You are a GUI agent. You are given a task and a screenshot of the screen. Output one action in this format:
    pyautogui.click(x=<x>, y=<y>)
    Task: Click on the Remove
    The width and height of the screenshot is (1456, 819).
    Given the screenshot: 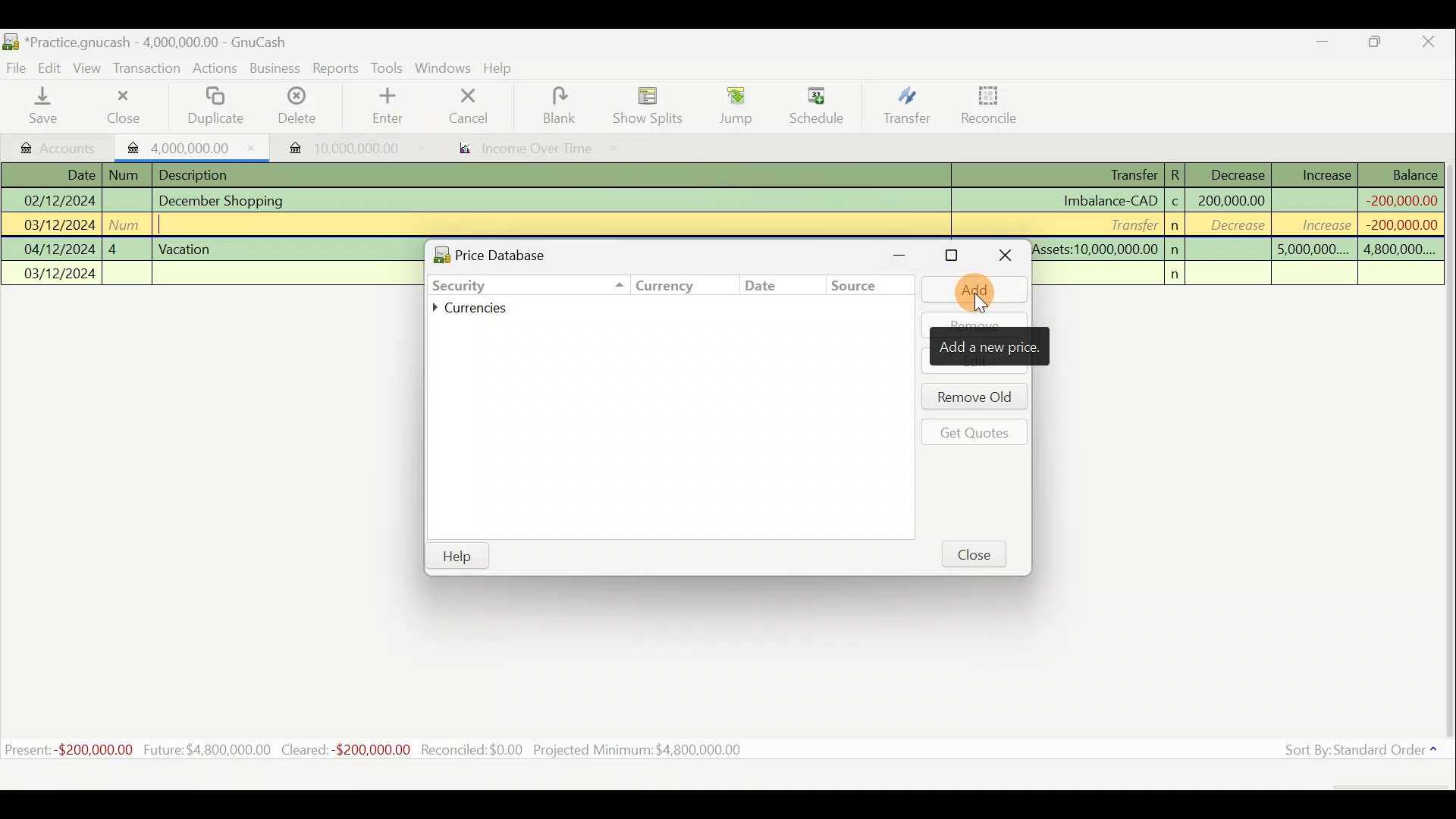 What is the action you would take?
    pyautogui.click(x=976, y=326)
    